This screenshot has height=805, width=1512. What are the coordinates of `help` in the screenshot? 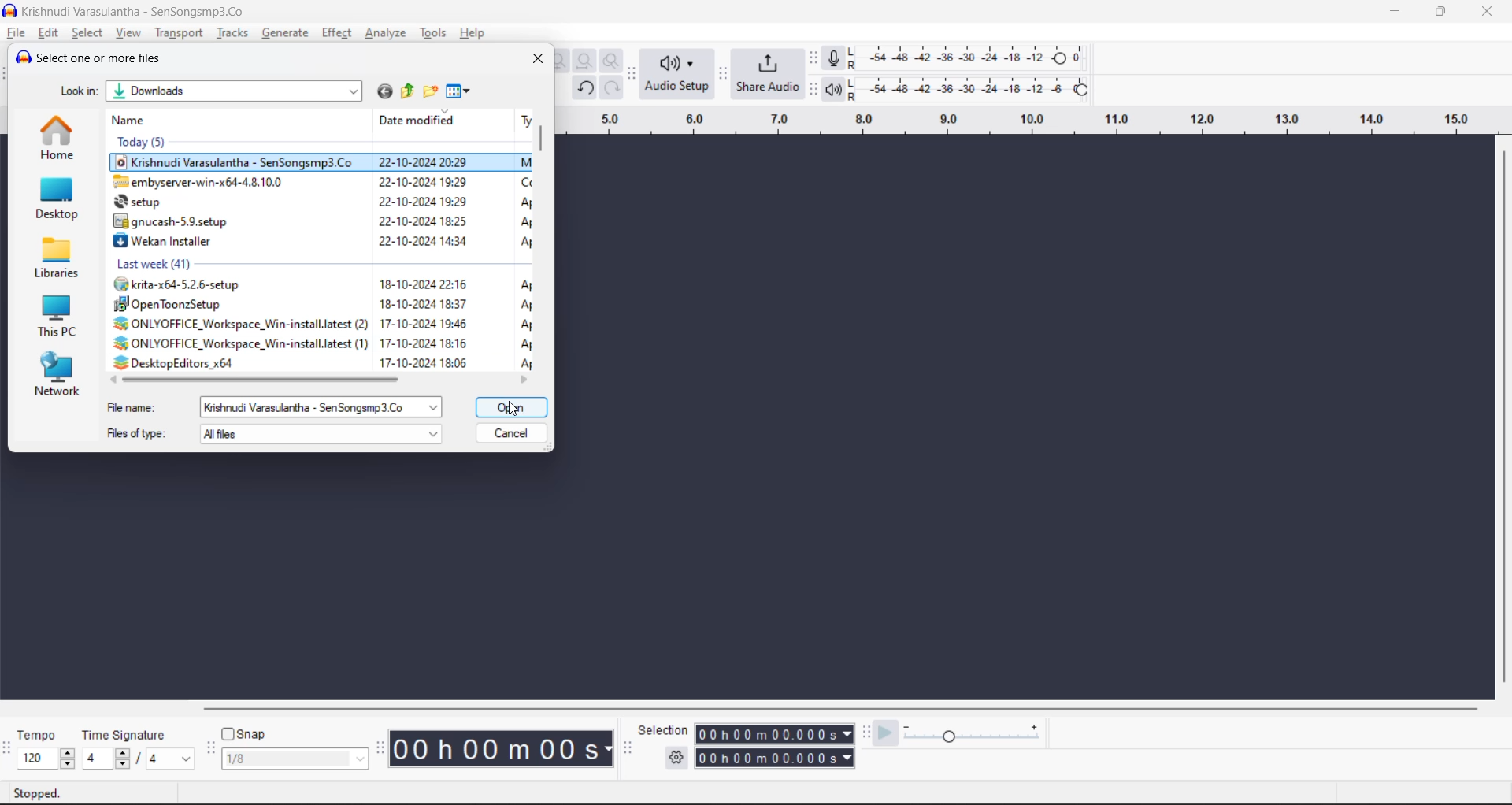 It's located at (473, 33).